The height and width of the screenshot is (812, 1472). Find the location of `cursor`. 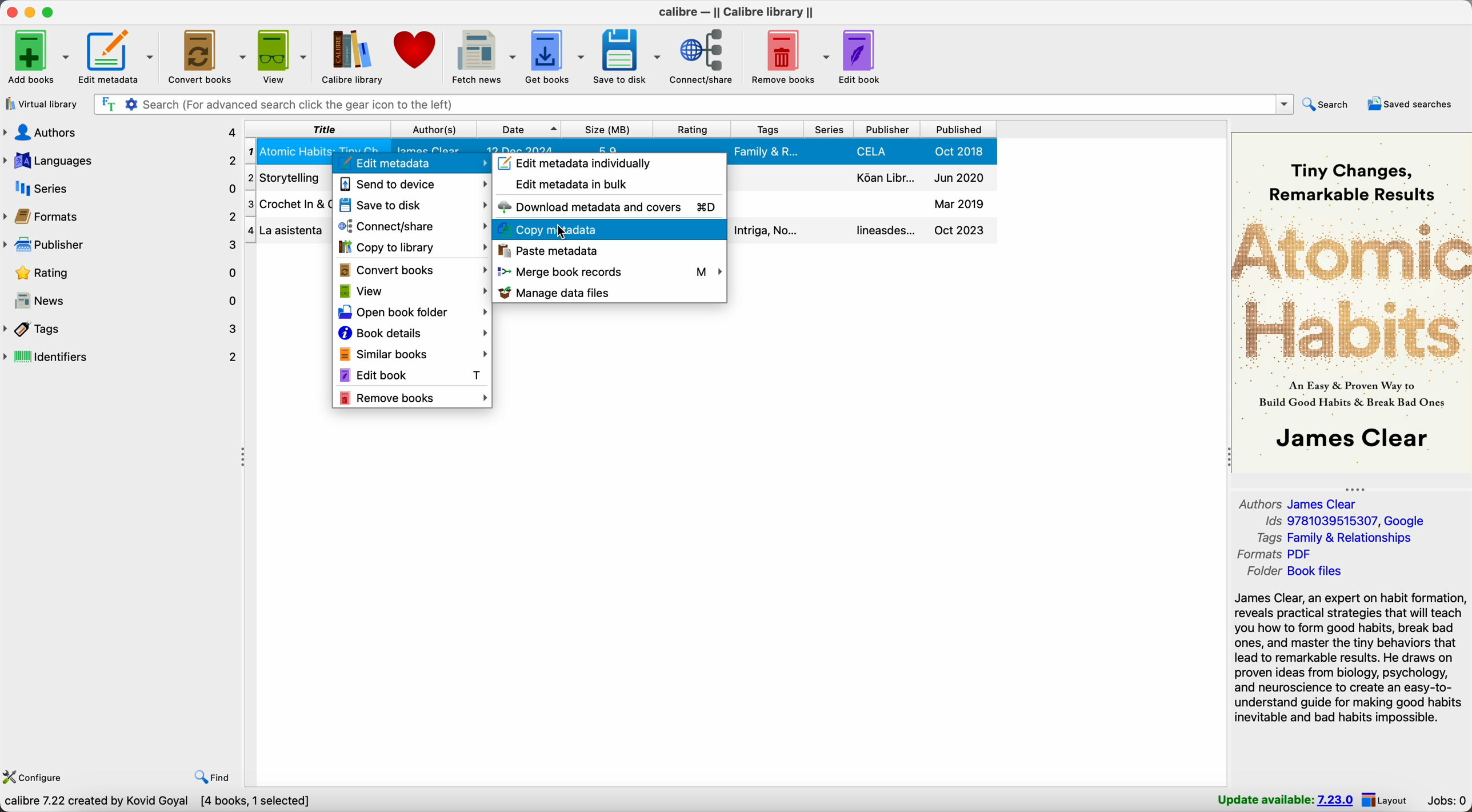

cursor is located at coordinates (570, 229).